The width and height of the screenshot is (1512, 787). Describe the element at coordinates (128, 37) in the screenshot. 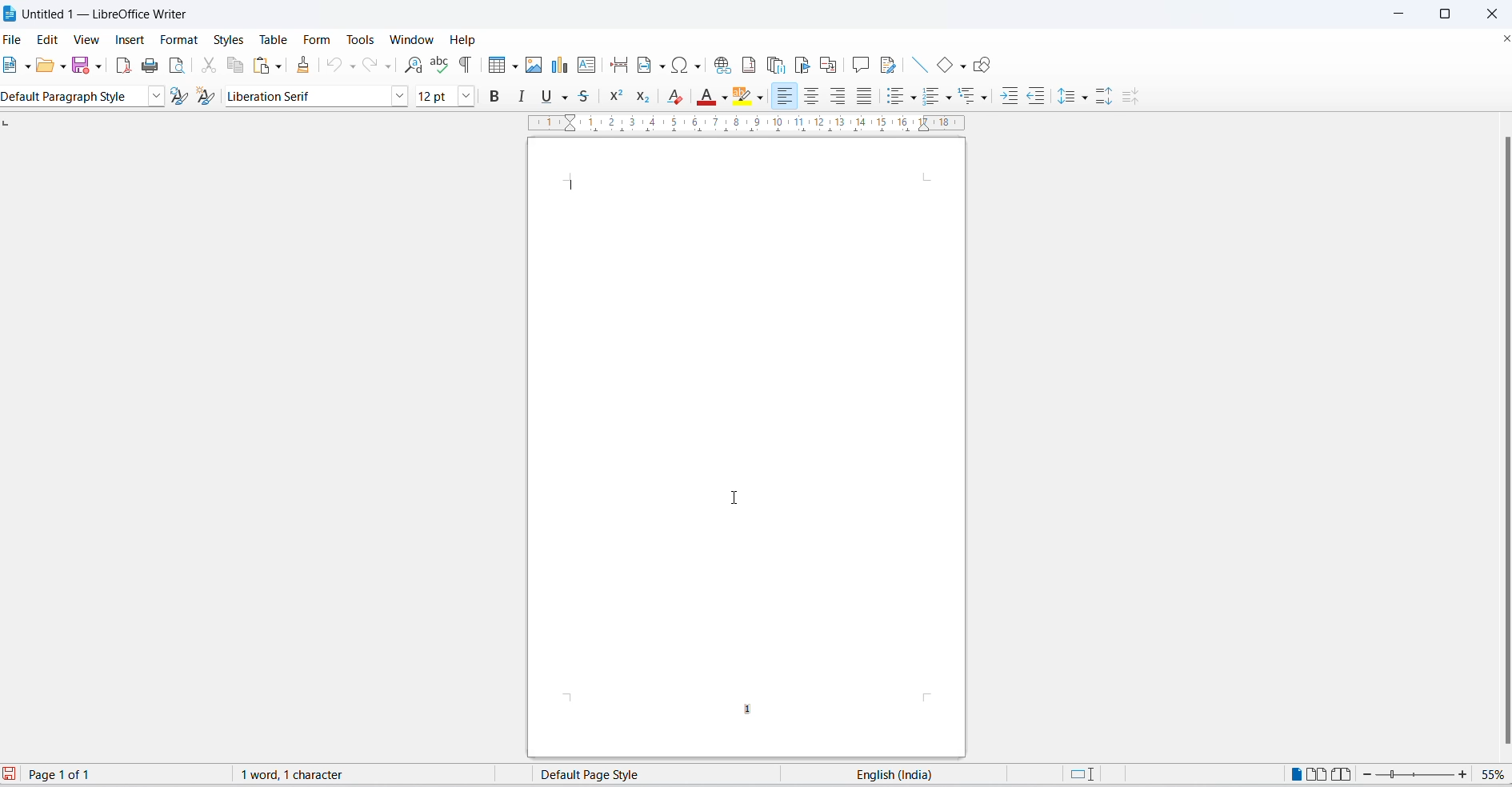

I see `insert` at that location.